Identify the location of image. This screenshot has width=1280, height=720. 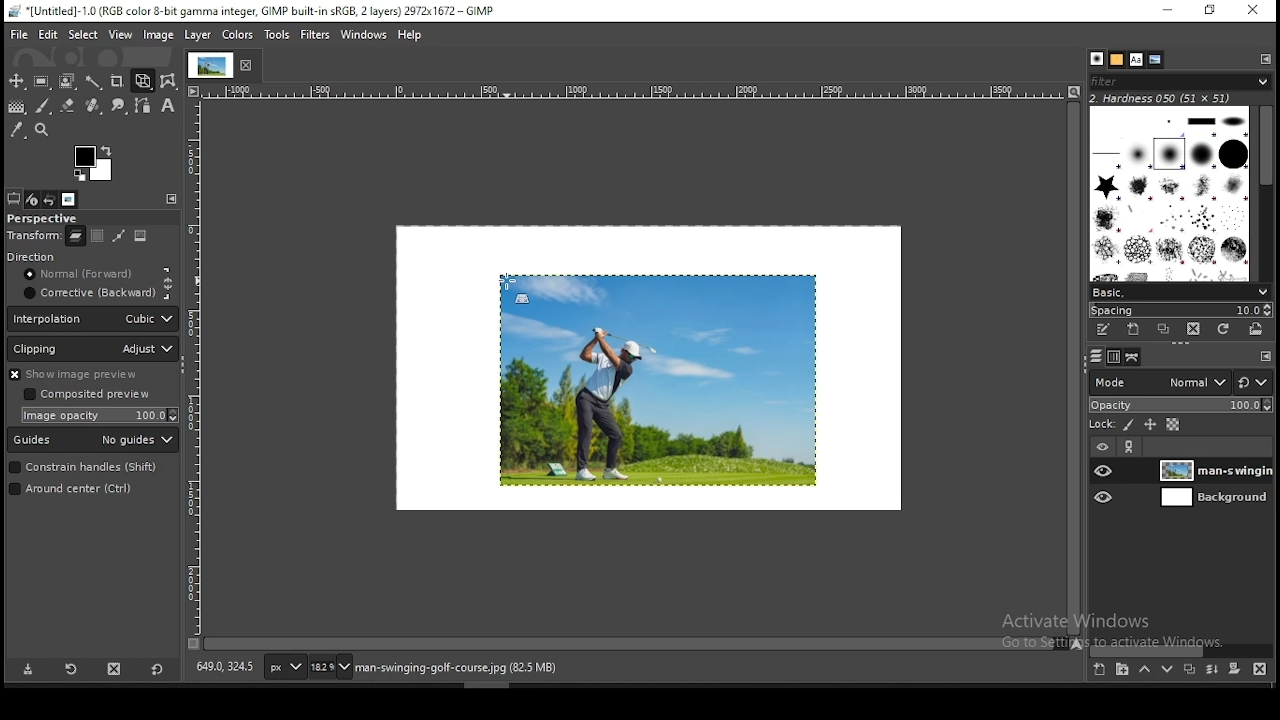
(142, 238).